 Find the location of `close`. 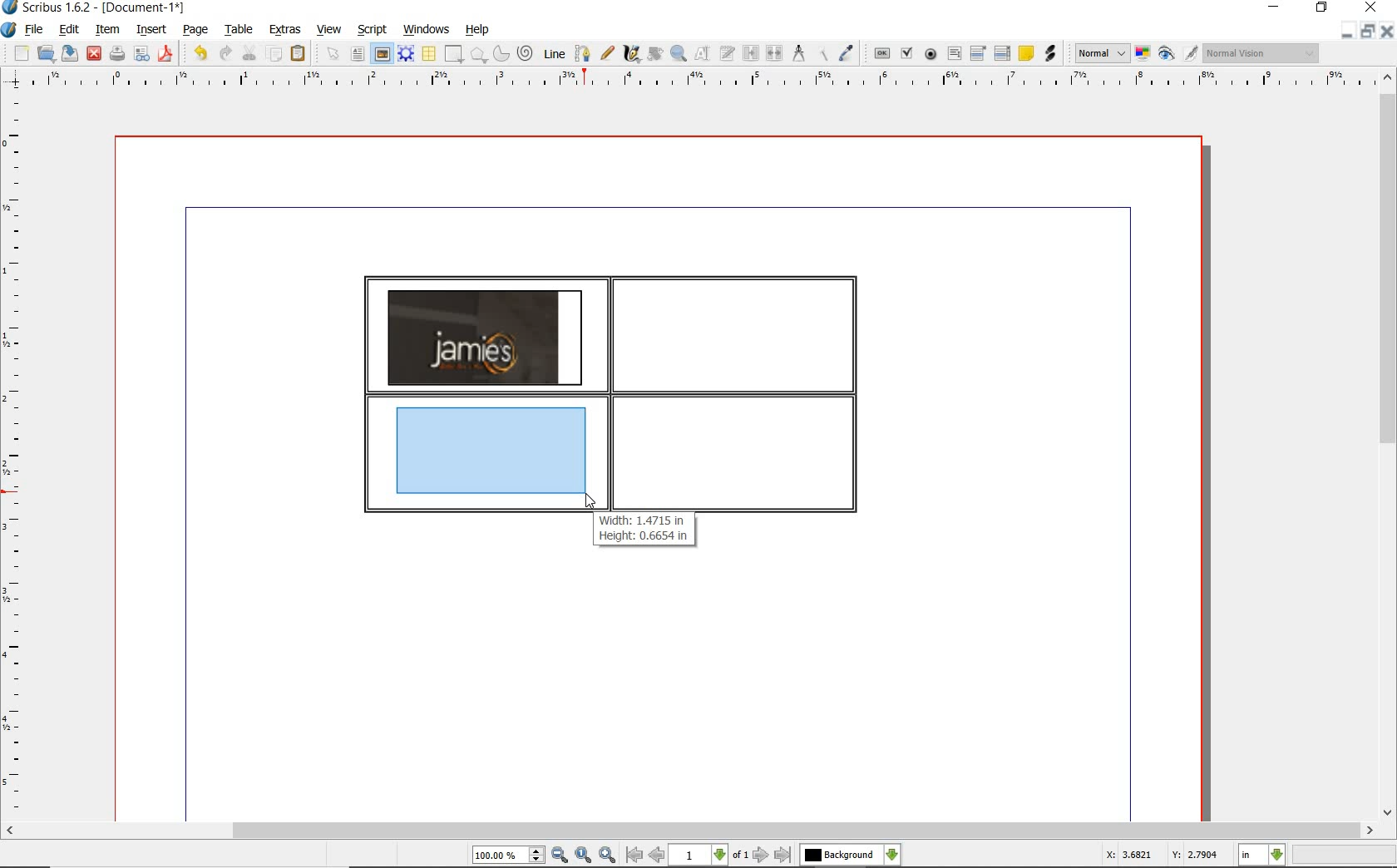

close is located at coordinates (1386, 32).